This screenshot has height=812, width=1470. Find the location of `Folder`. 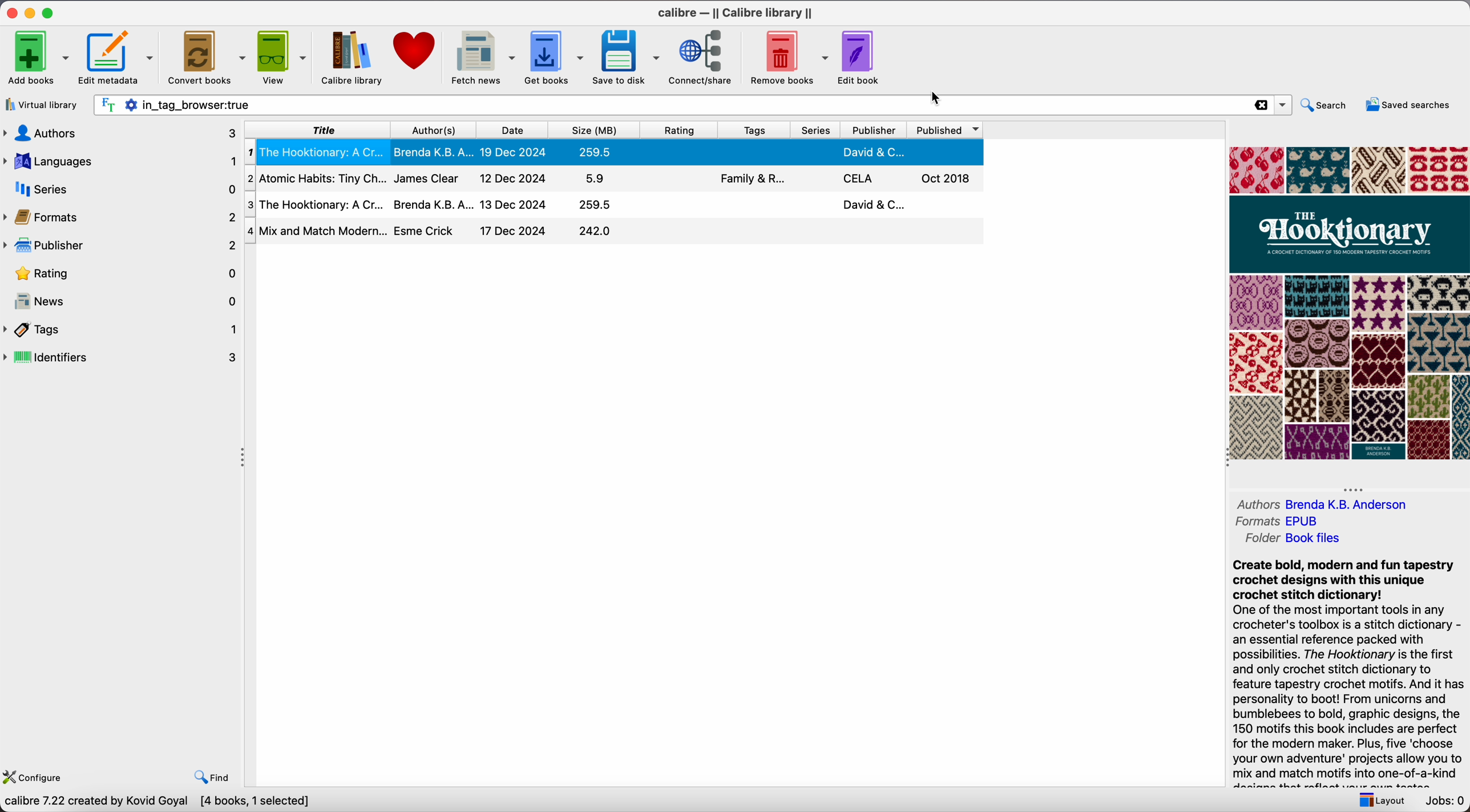

Folder is located at coordinates (1261, 539).